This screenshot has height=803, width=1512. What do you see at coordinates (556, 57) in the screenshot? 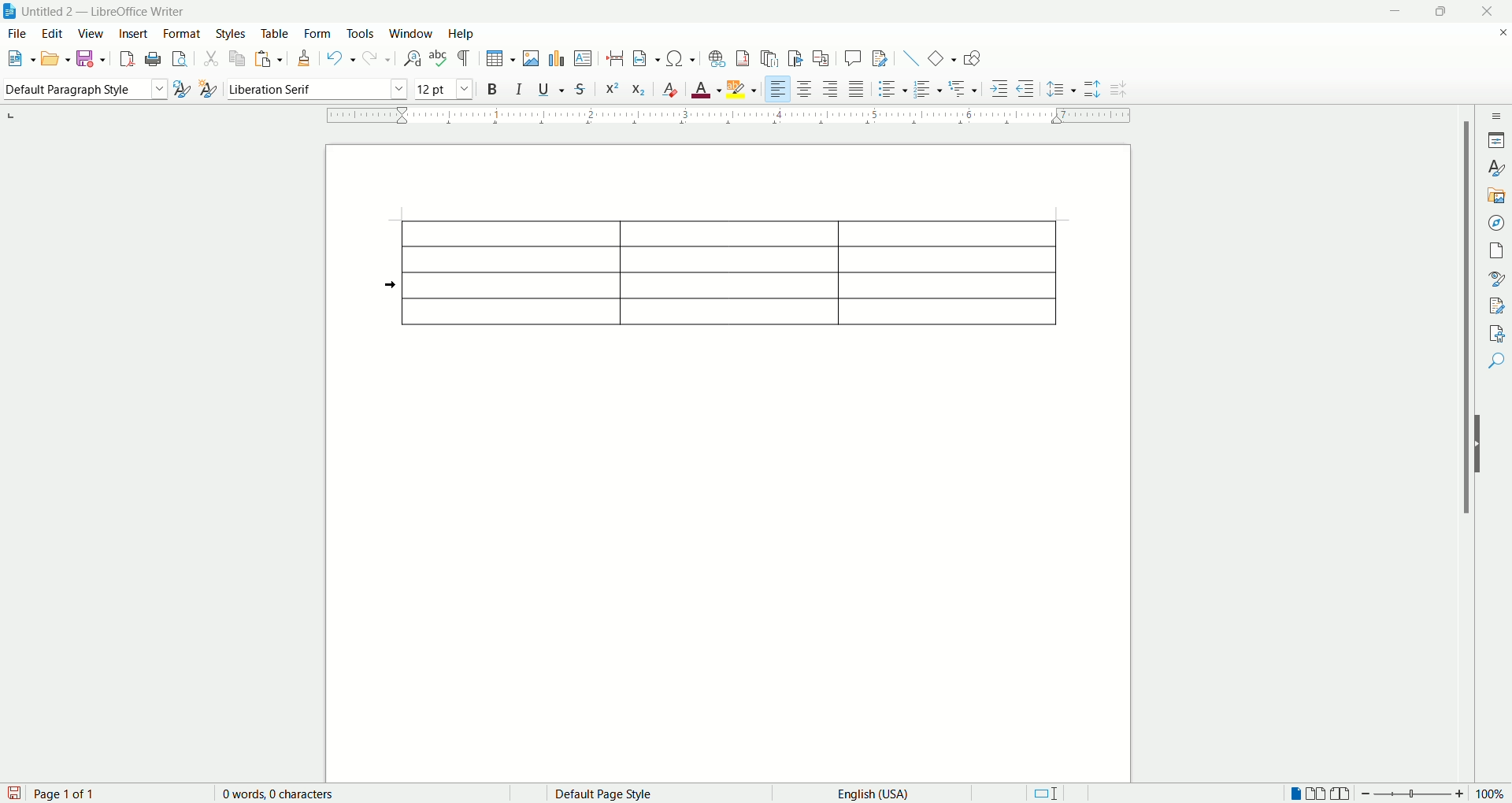
I see `insert chart` at bounding box center [556, 57].